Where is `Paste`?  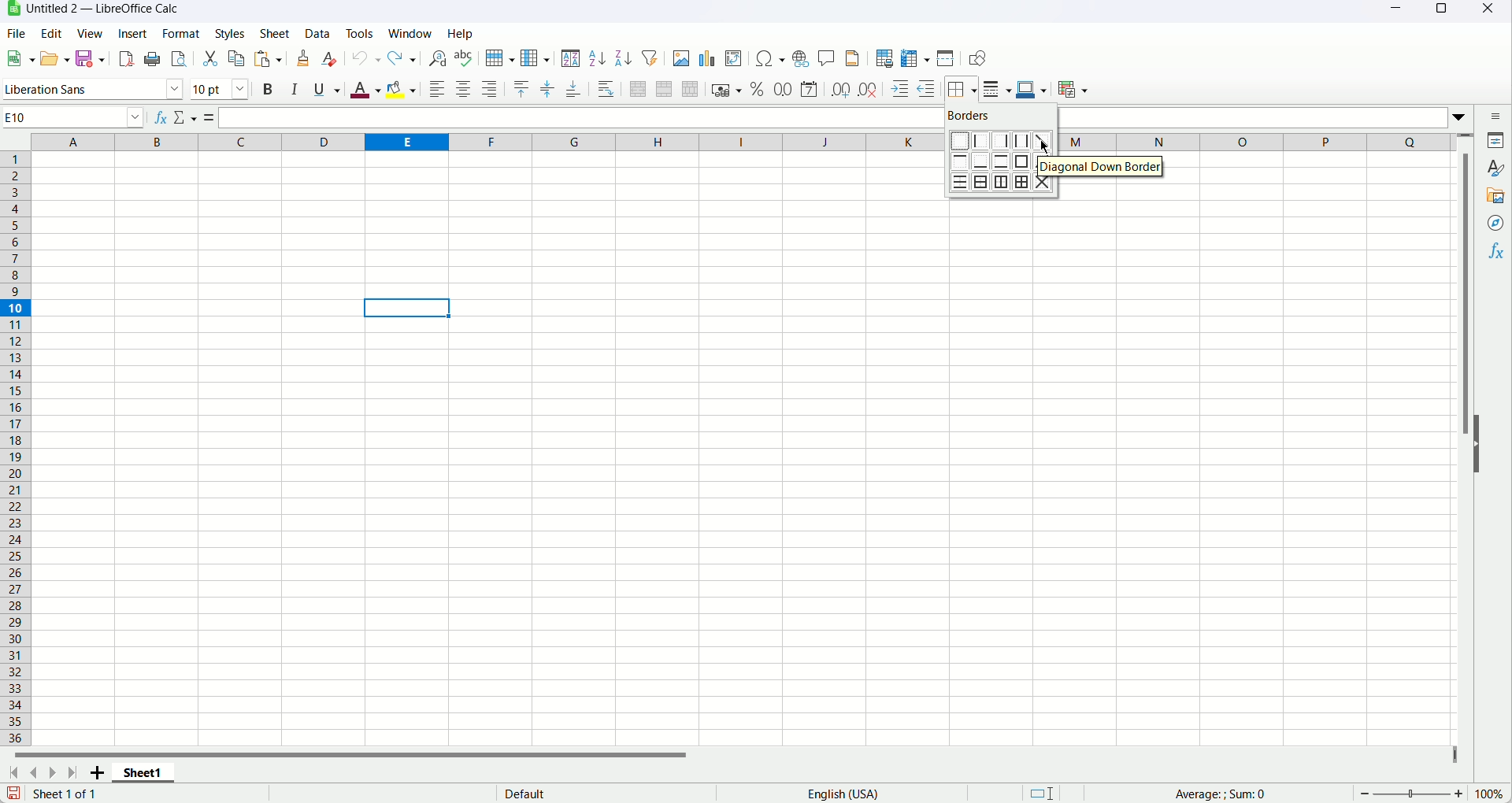 Paste is located at coordinates (267, 59).